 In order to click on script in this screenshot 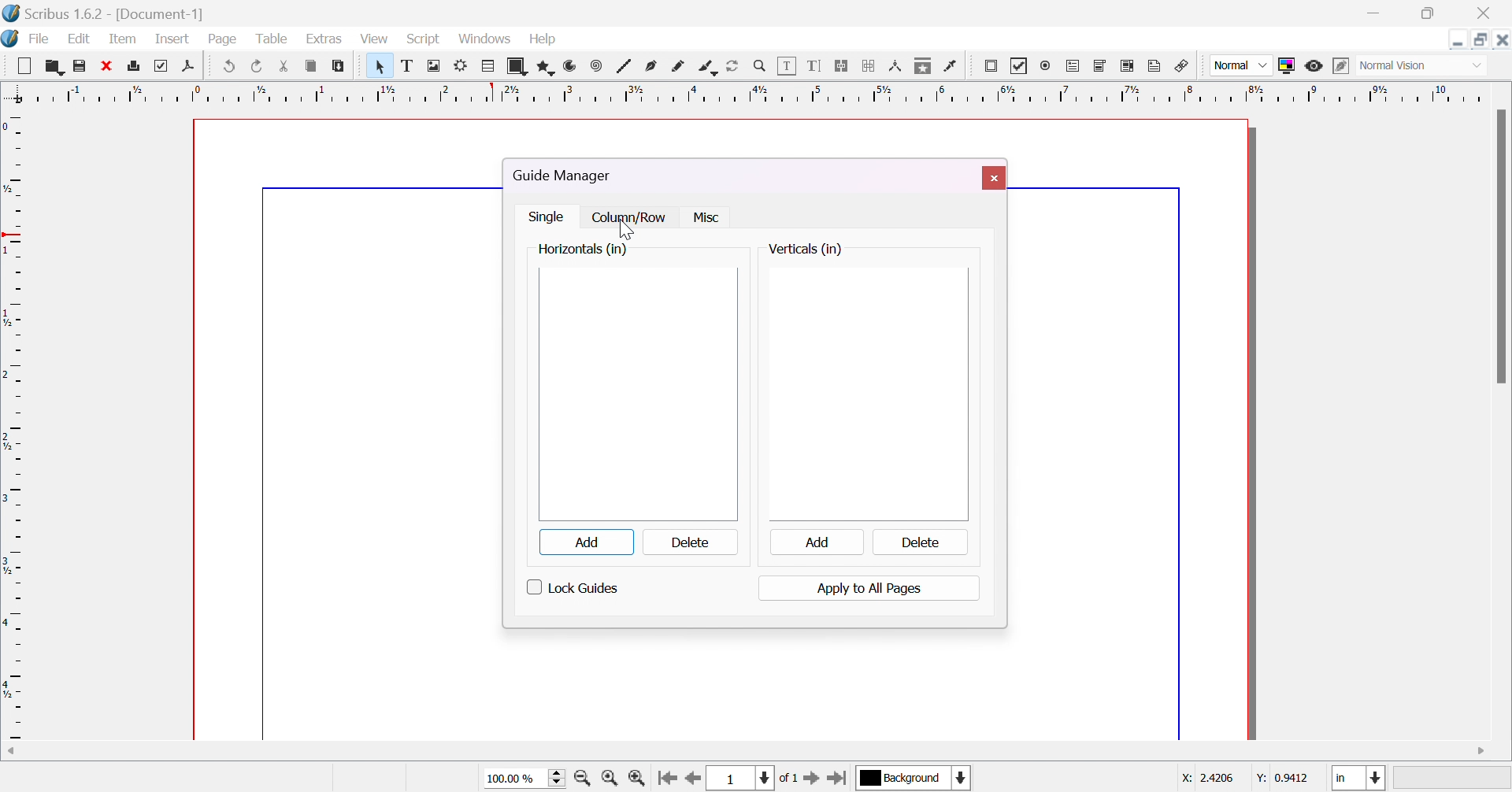, I will do `click(423, 39)`.